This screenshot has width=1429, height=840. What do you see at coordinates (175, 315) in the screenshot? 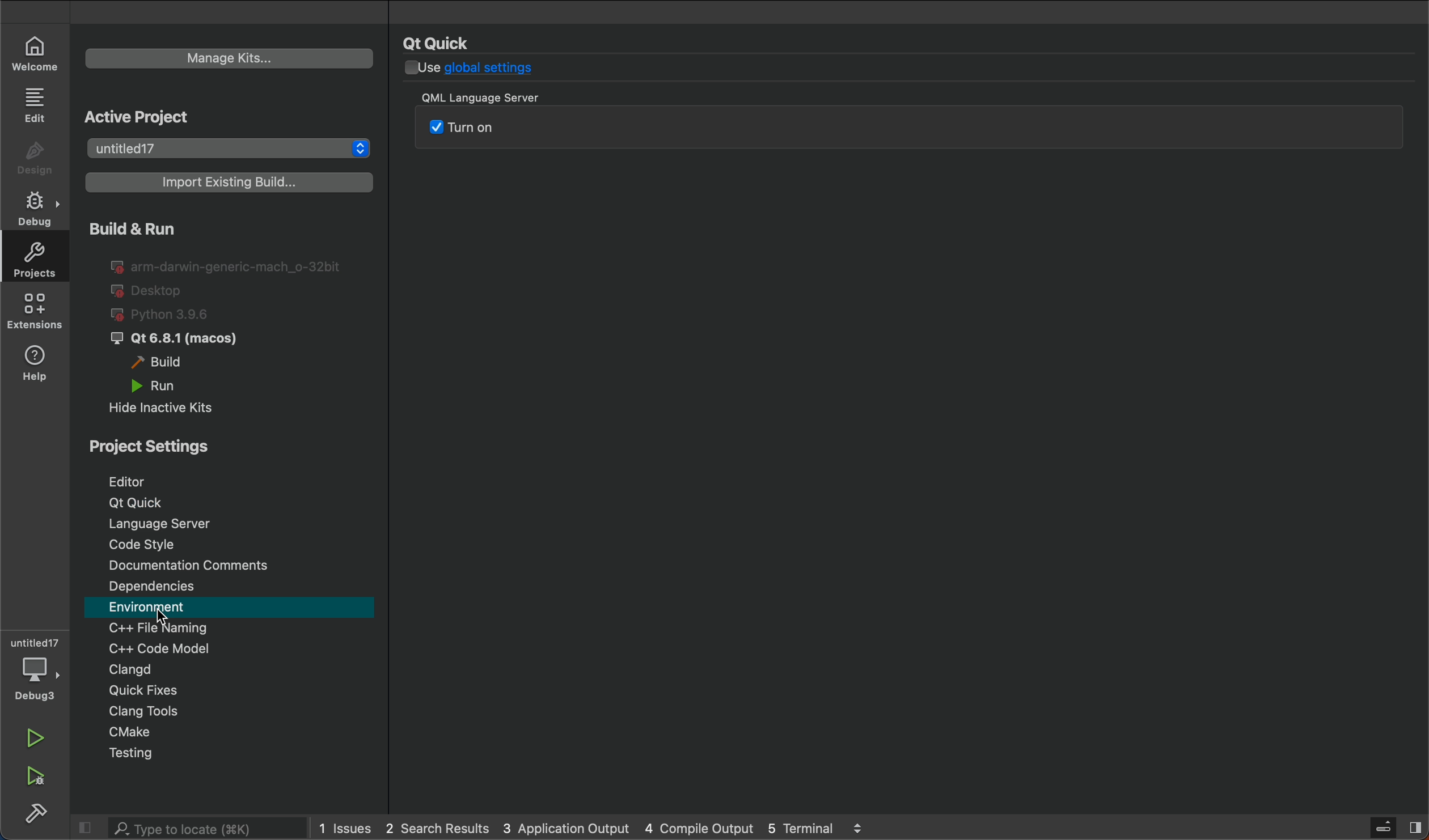
I see `python 3.96` at bounding box center [175, 315].